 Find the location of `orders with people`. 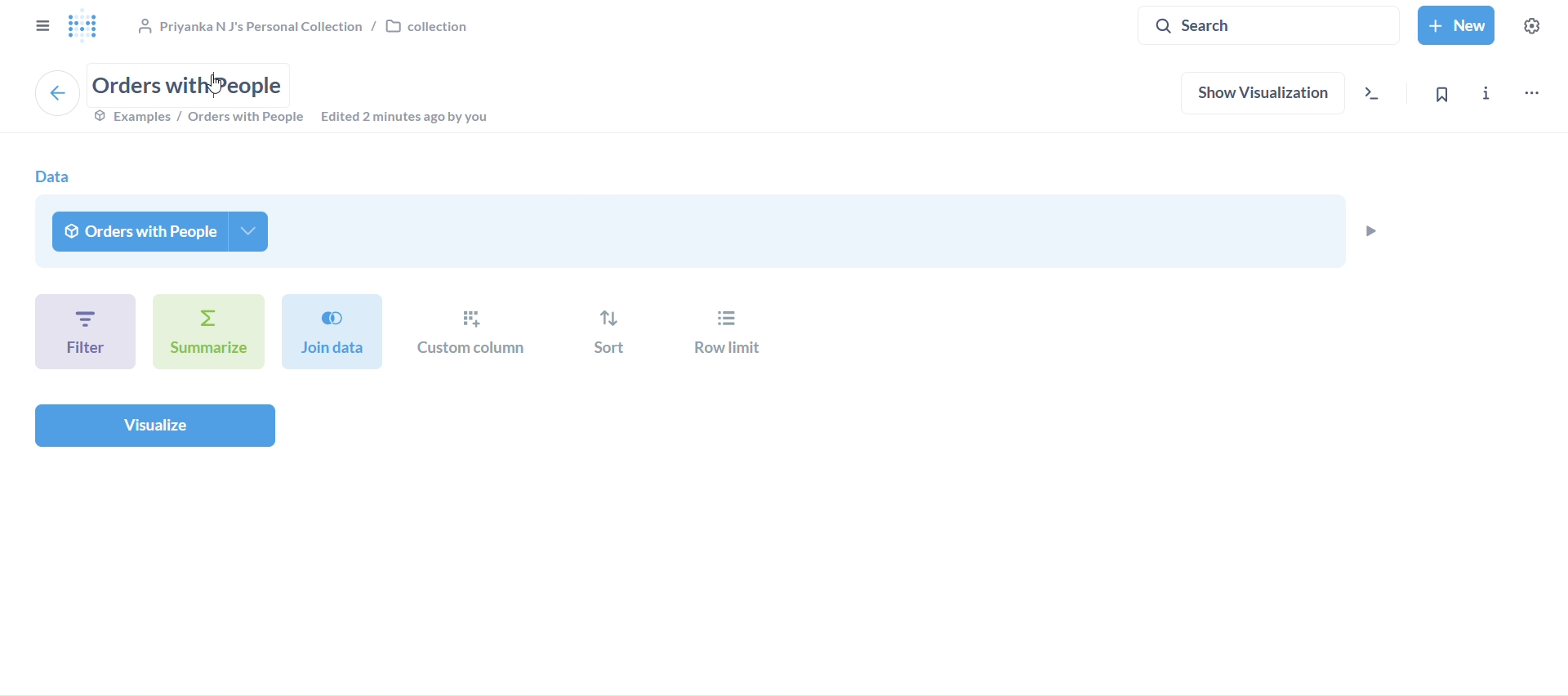

orders with people is located at coordinates (163, 231).